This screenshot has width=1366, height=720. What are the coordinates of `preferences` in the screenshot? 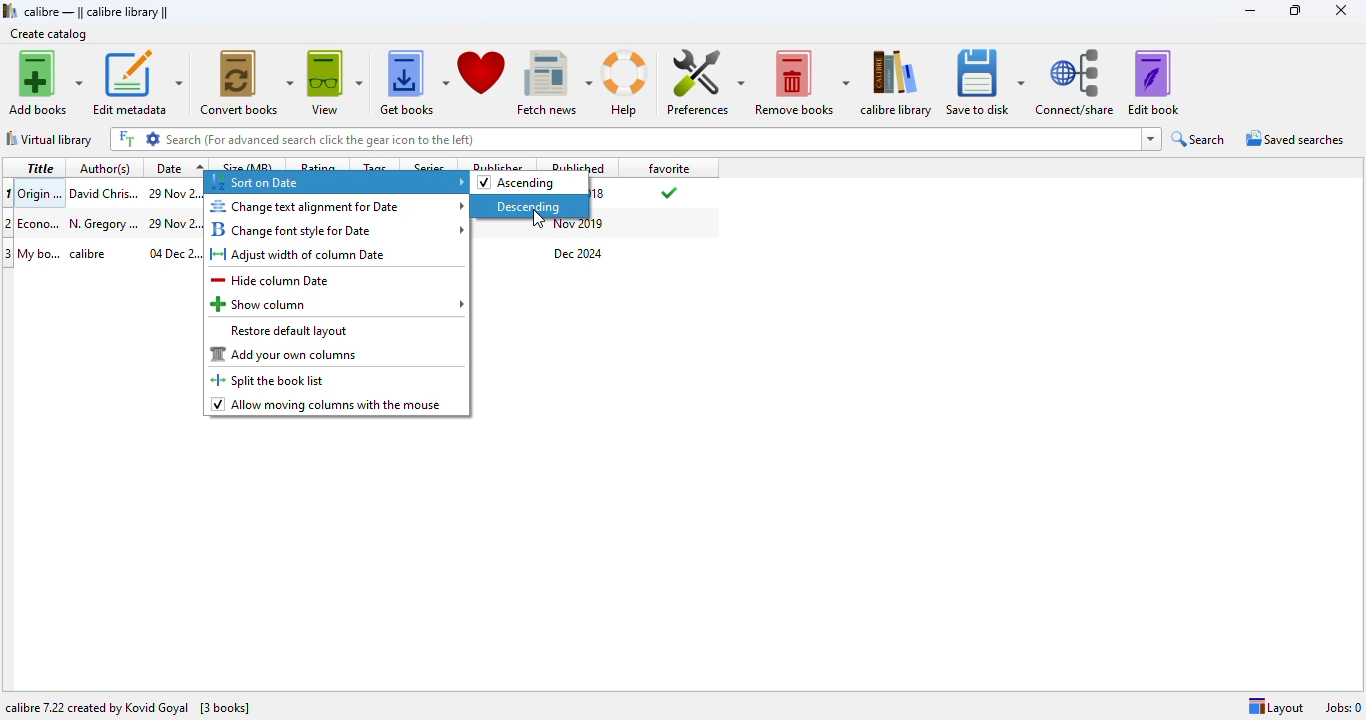 It's located at (705, 82).